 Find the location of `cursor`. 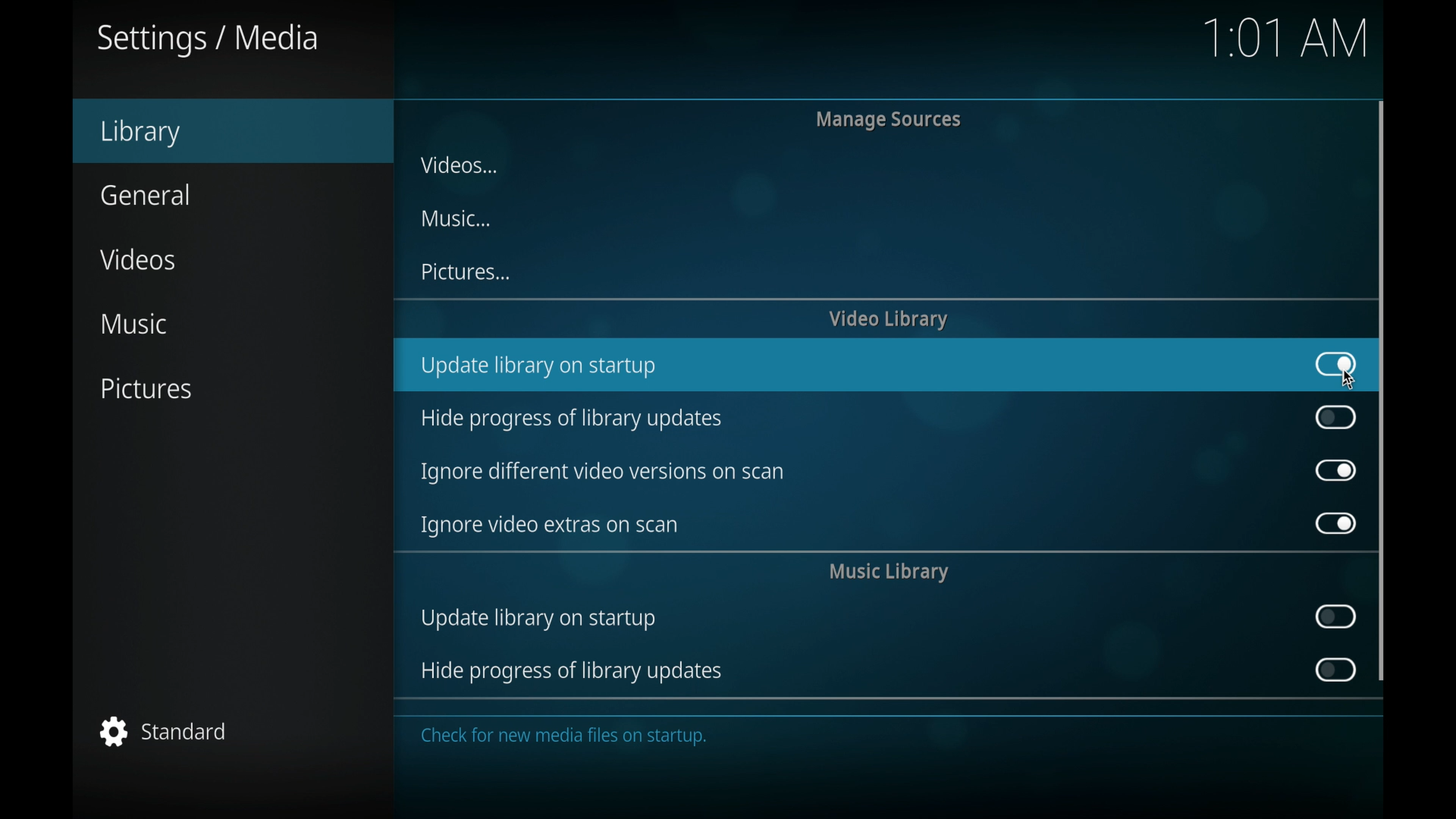

cursor is located at coordinates (1353, 382).